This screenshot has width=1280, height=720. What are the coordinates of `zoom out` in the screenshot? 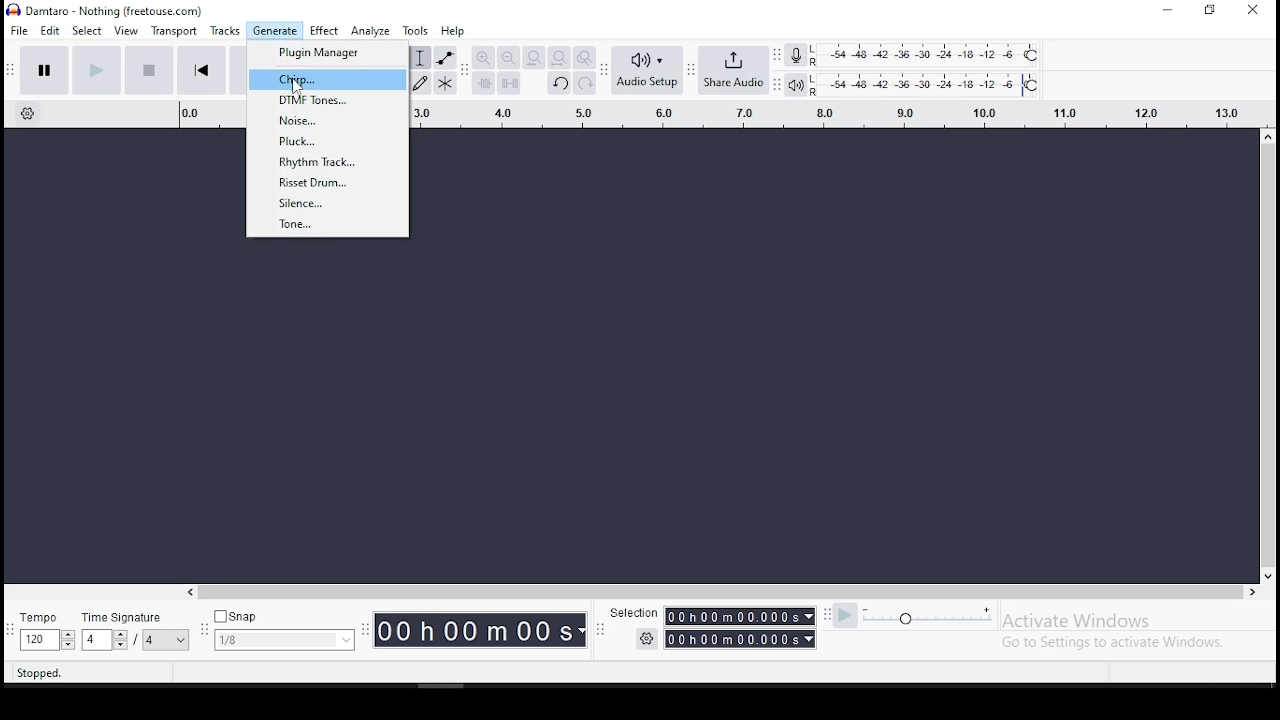 It's located at (508, 57).